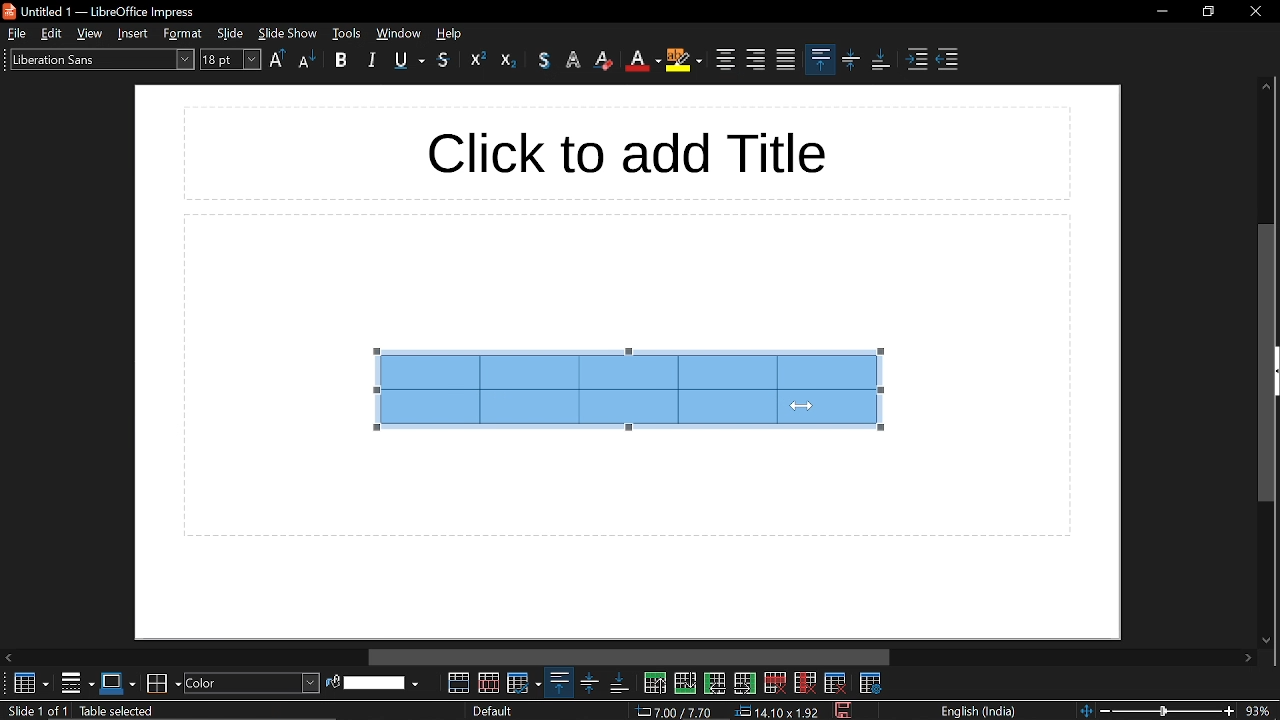 The image size is (1280, 720). I want to click on minimize, so click(1162, 12).